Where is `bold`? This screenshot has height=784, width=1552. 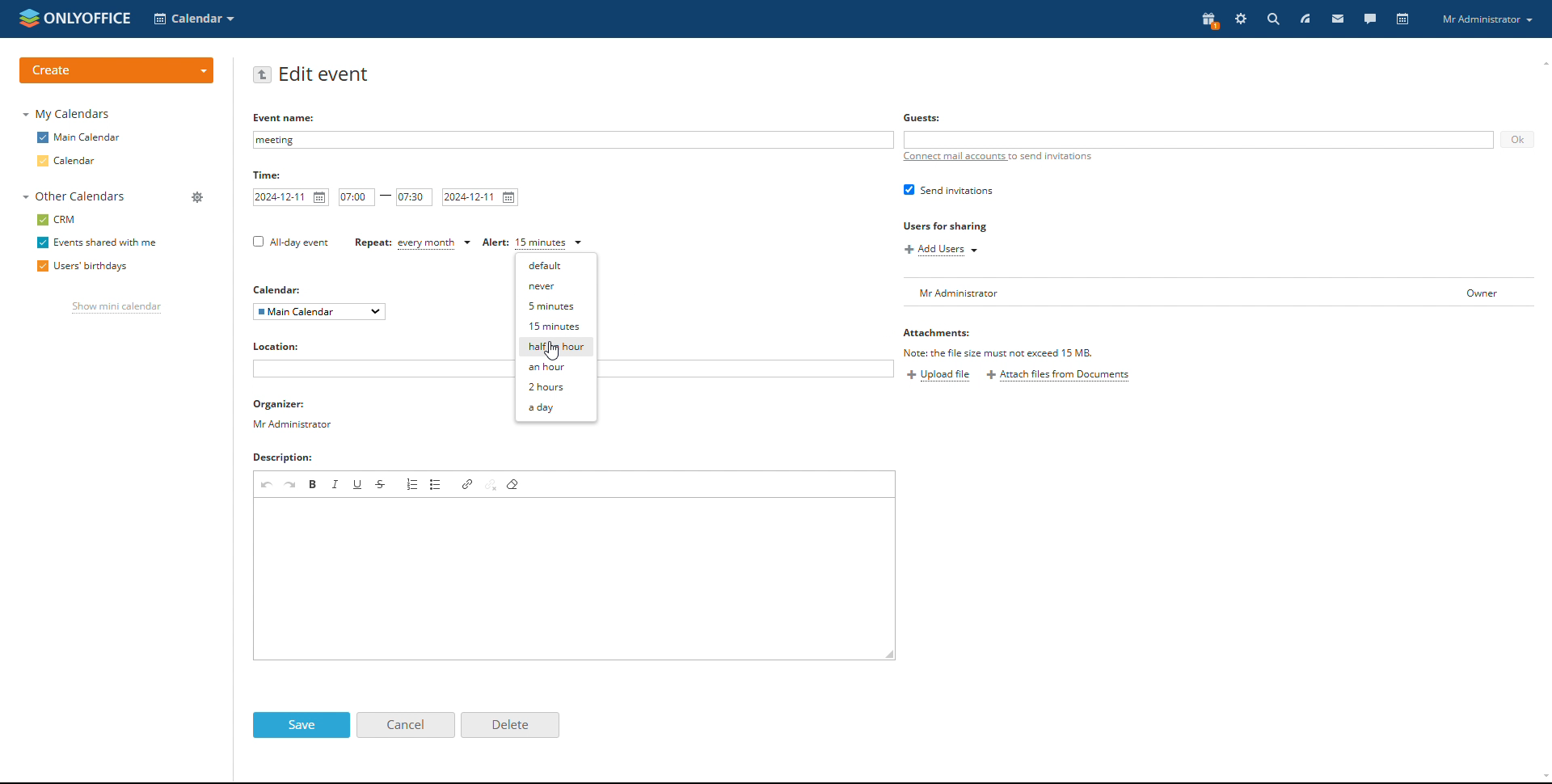 bold is located at coordinates (314, 484).